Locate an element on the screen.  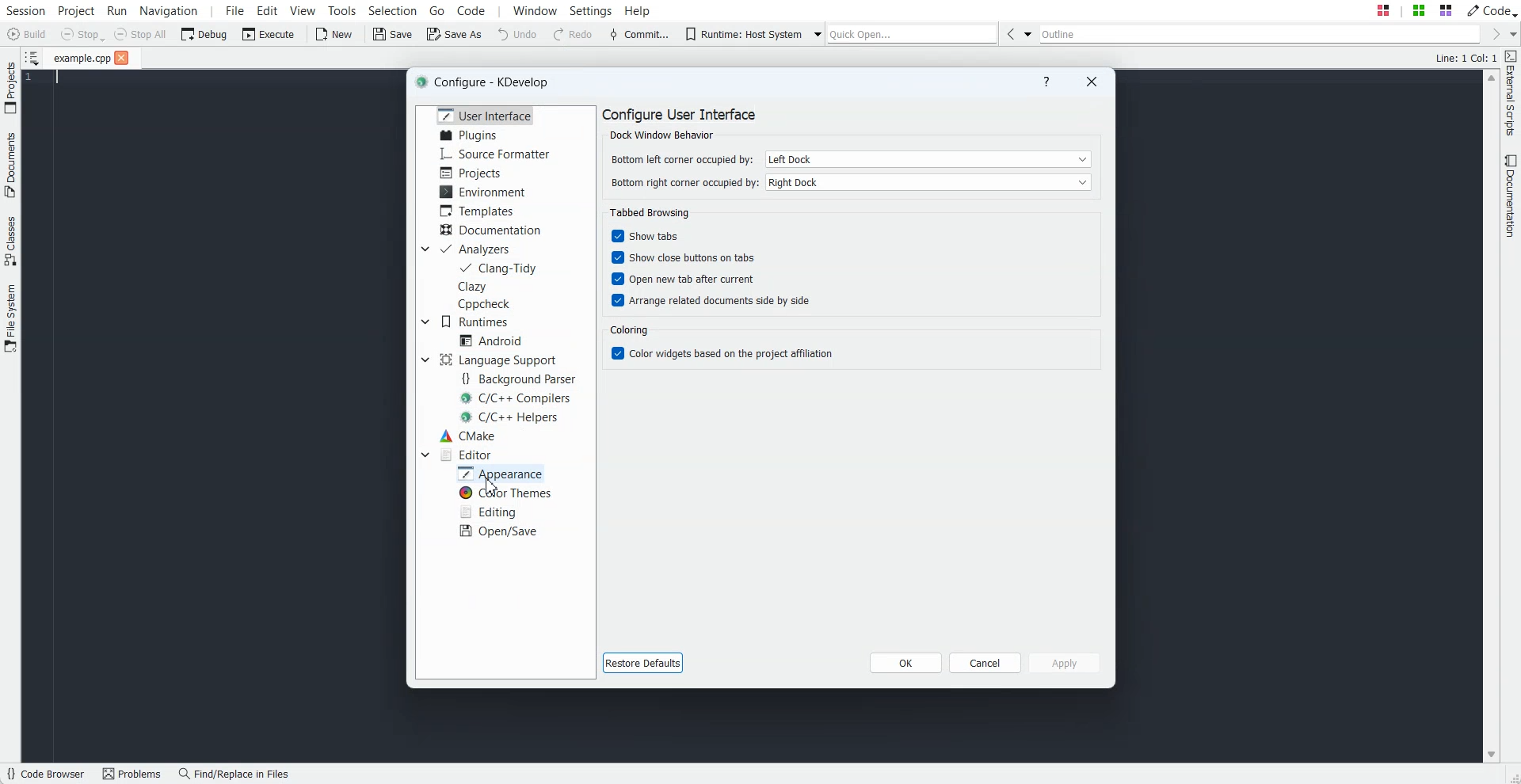
File is located at coordinates (81, 58).